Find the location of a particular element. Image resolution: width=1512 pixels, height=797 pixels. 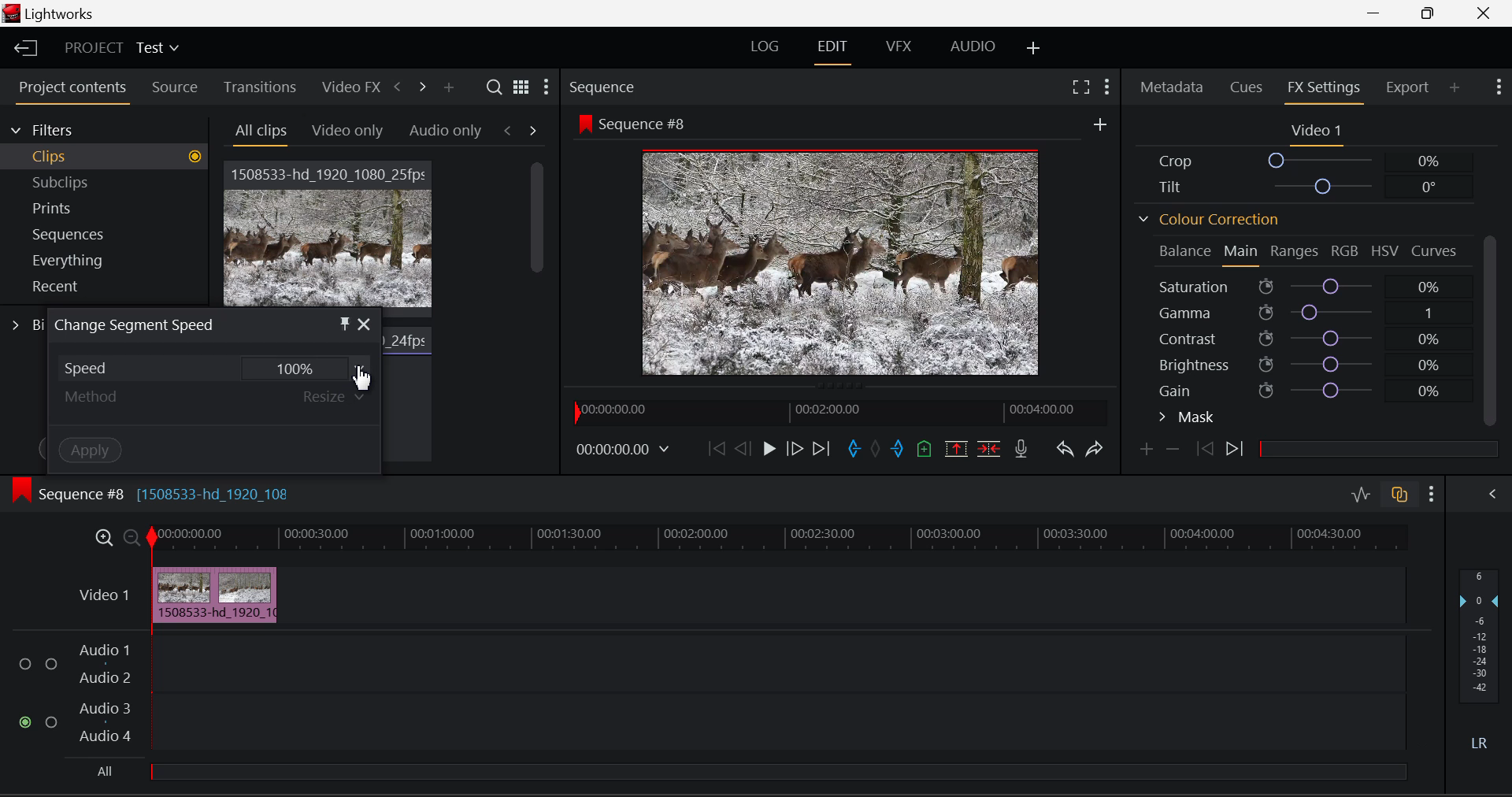

Video Frame Time is located at coordinates (621, 447).